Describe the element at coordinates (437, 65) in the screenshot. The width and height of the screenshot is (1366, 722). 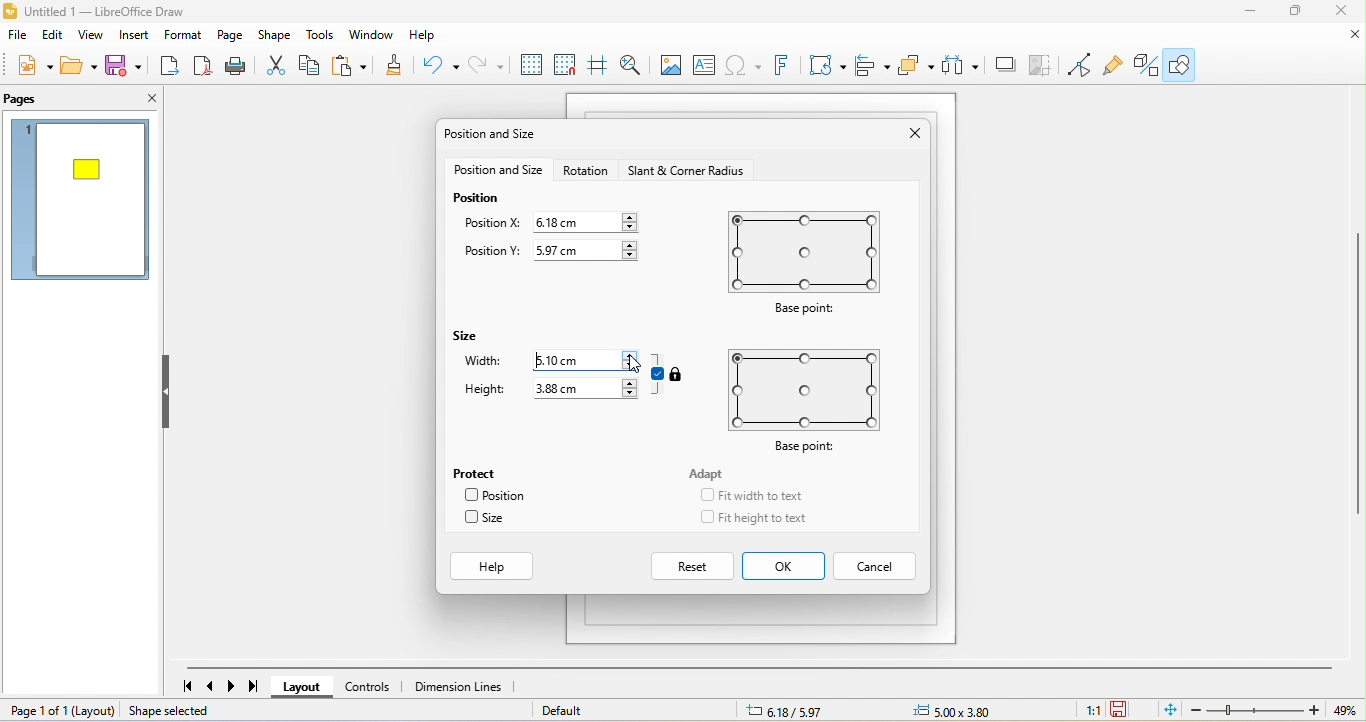
I see `undo` at that location.